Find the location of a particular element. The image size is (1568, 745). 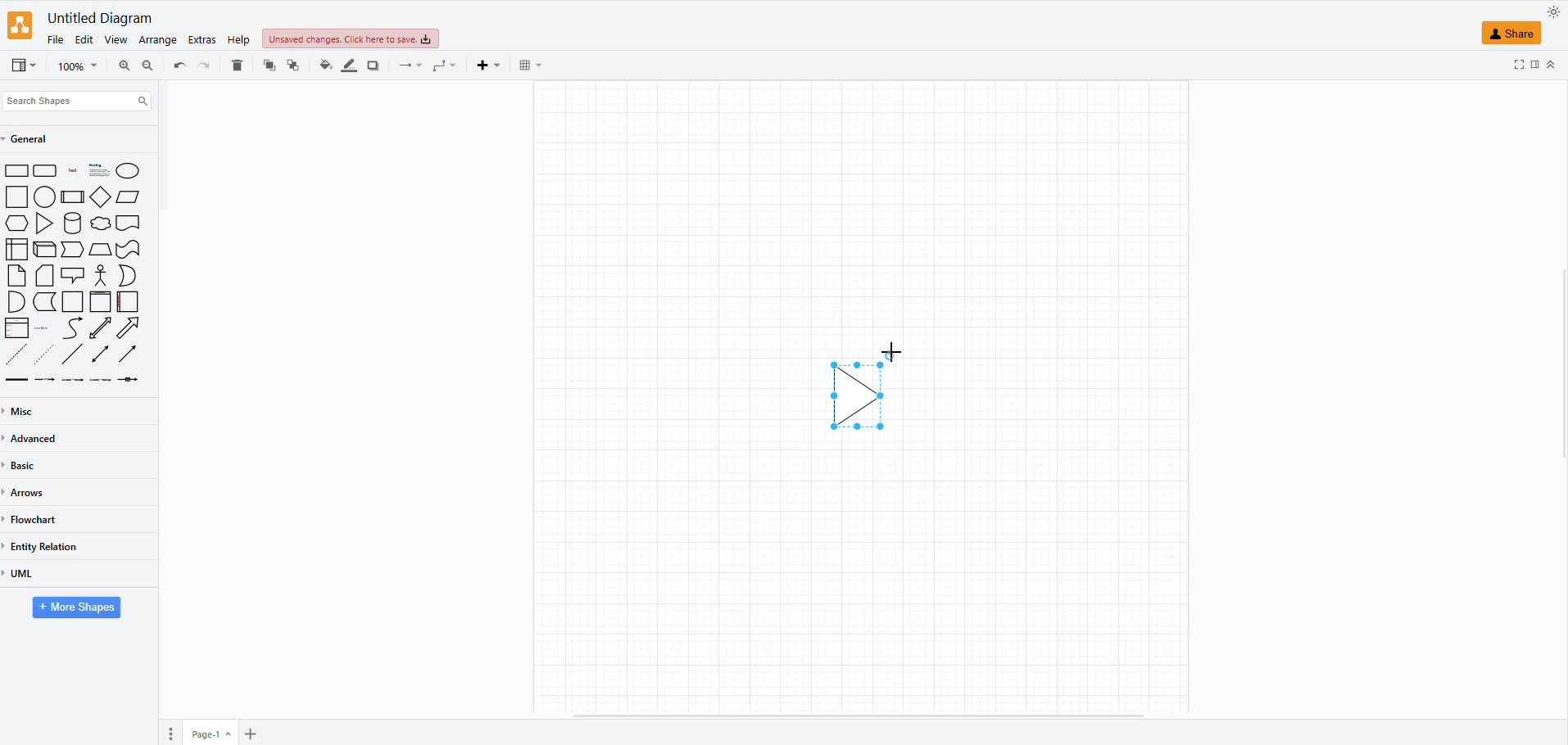

file is located at coordinates (54, 38).